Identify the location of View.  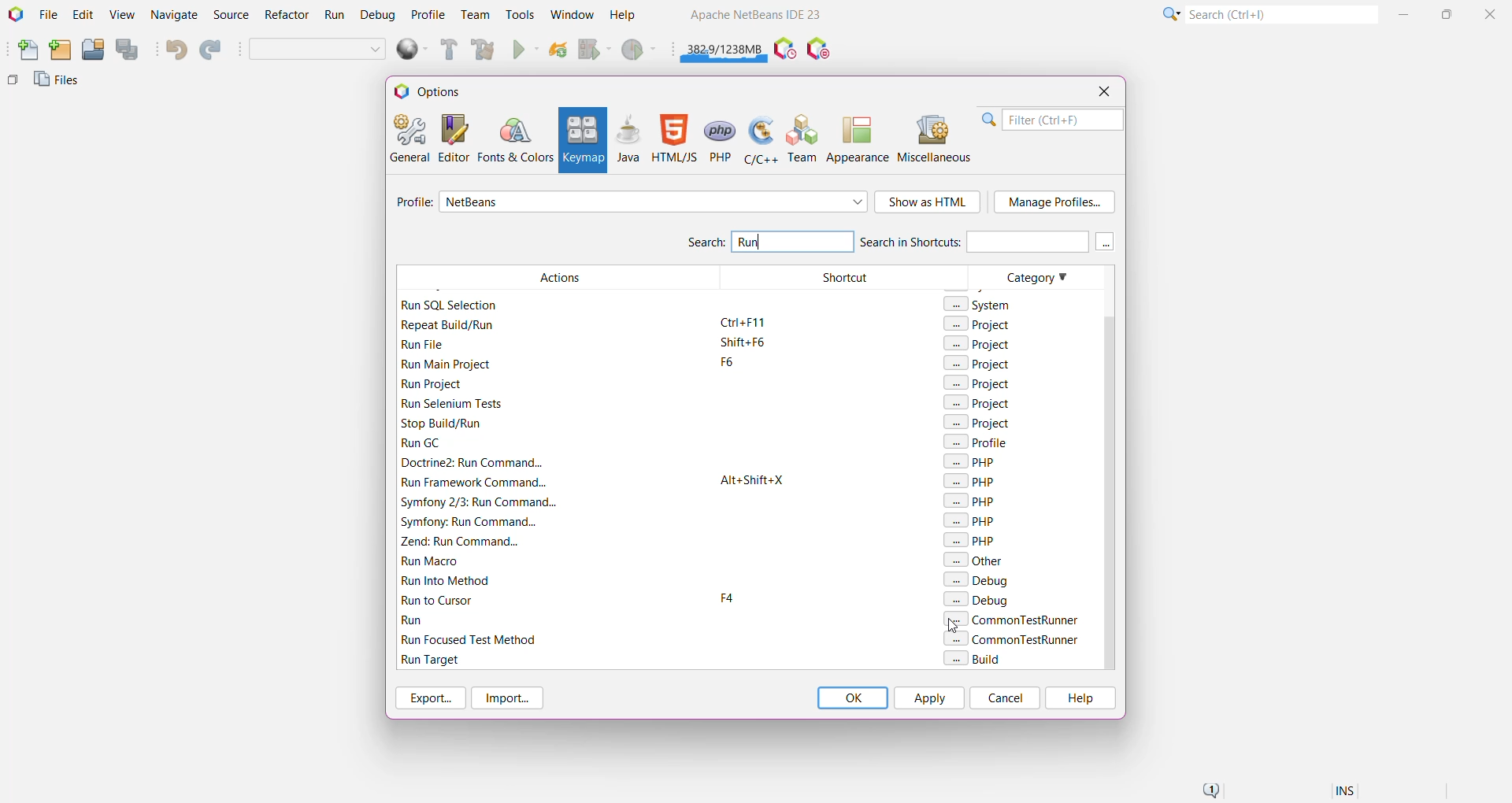
(121, 16).